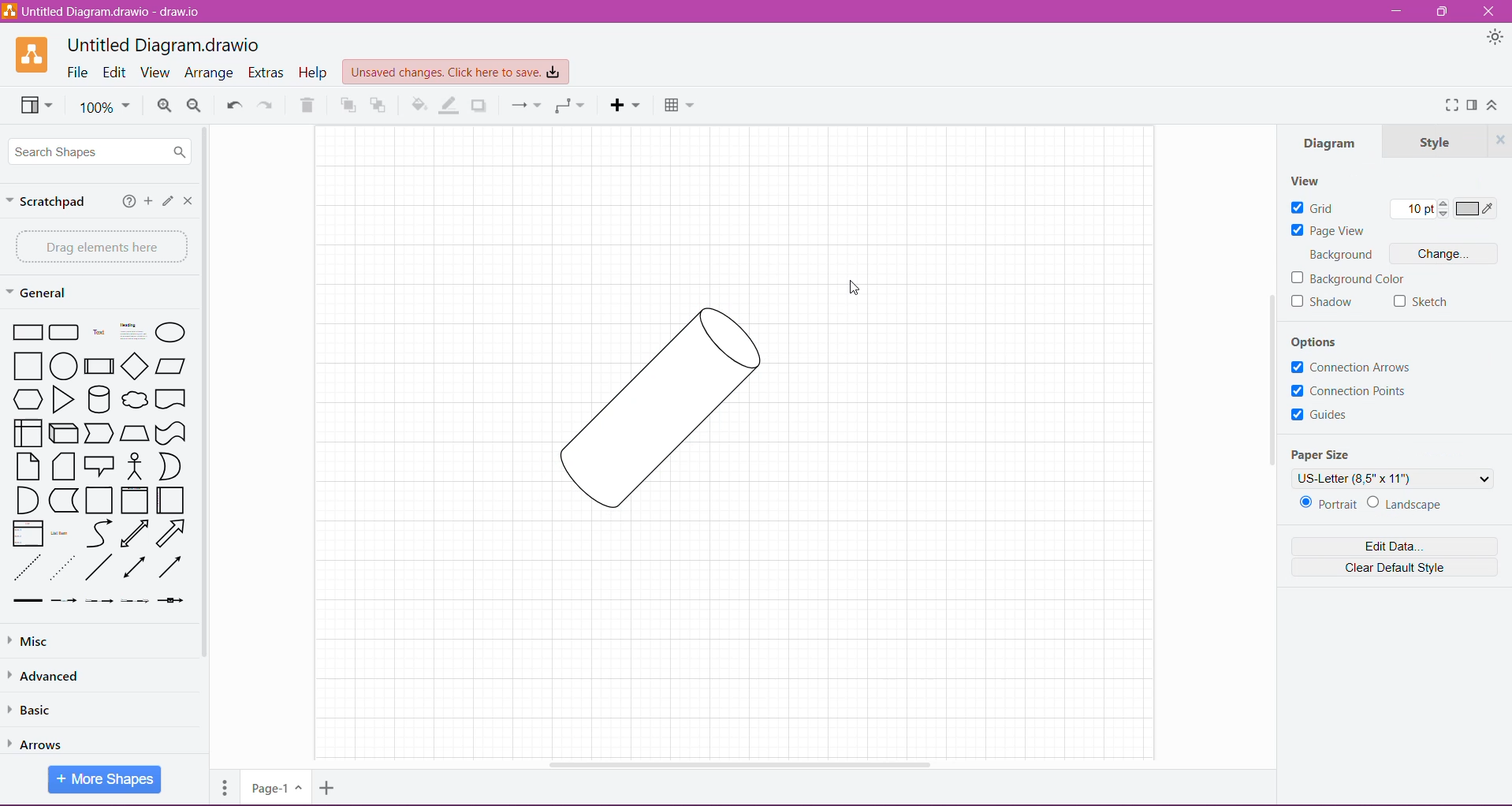 The height and width of the screenshot is (806, 1512). I want to click on Minimize, so click(1398, 11).